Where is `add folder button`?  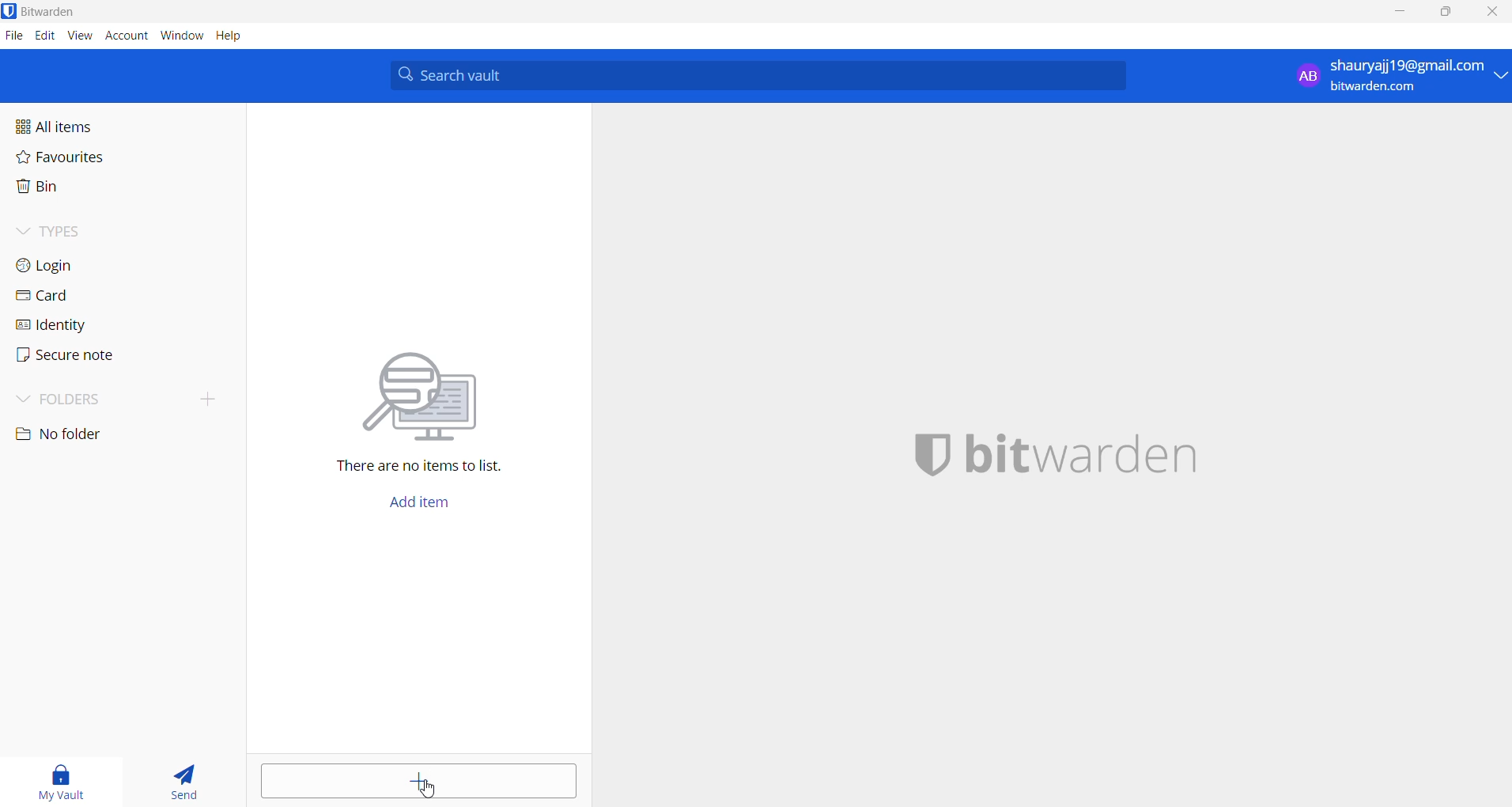 add folder button is located at coordinates (210, 398).